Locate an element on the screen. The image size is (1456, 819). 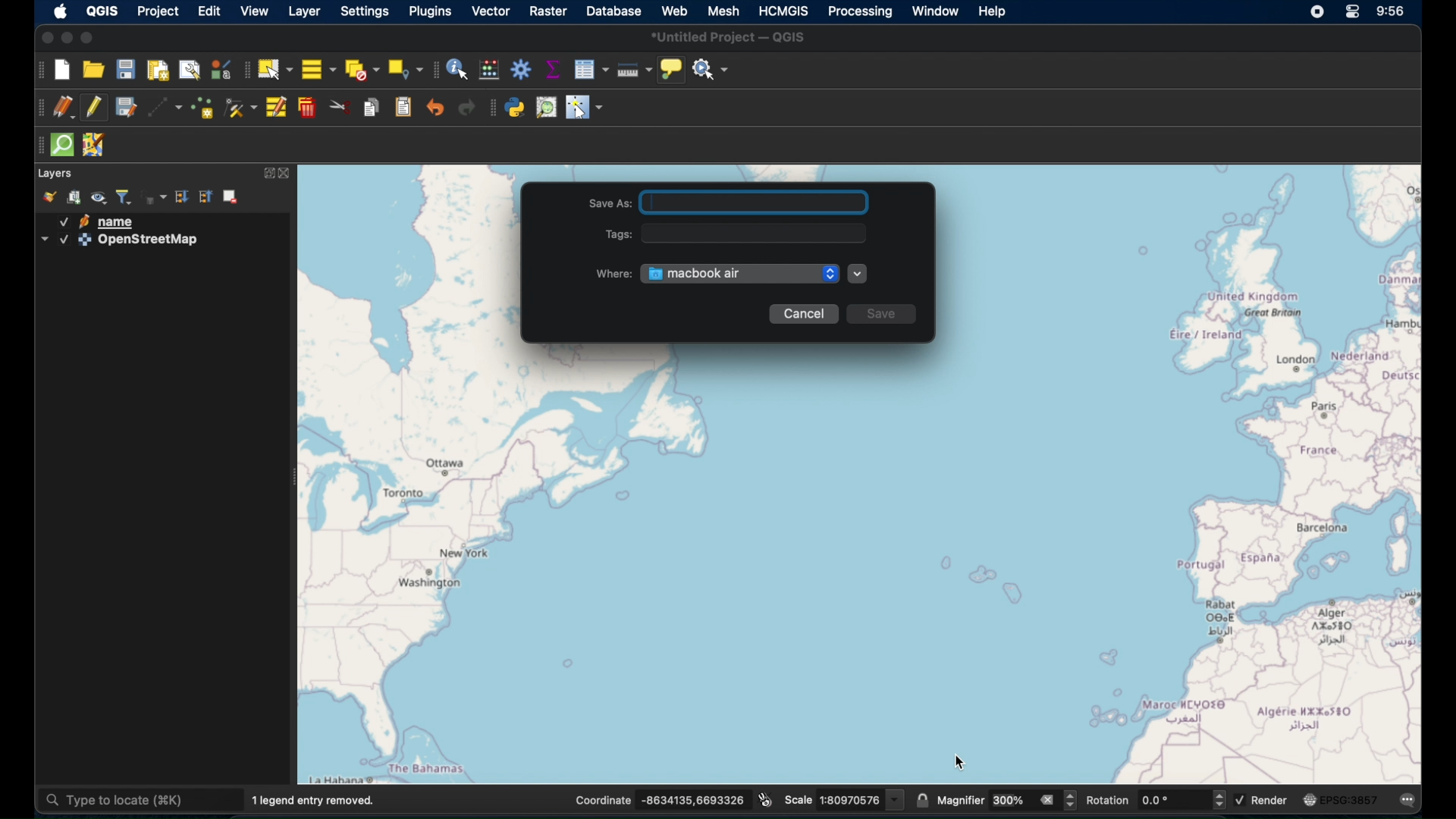
filter layer by expression is located at coordinates (156, 196).